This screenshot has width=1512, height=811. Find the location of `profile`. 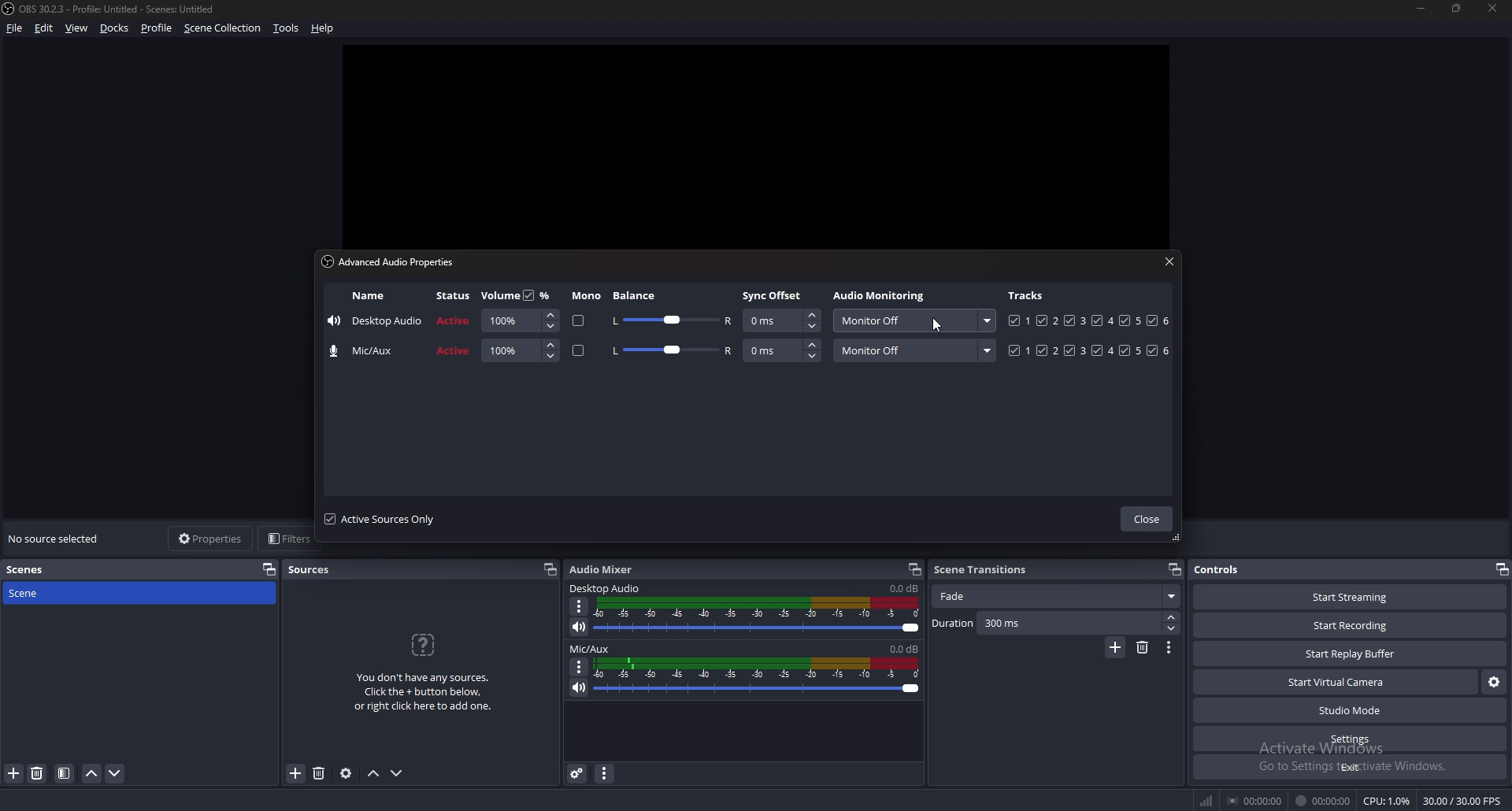

profile is located at coordinates (157, 28).